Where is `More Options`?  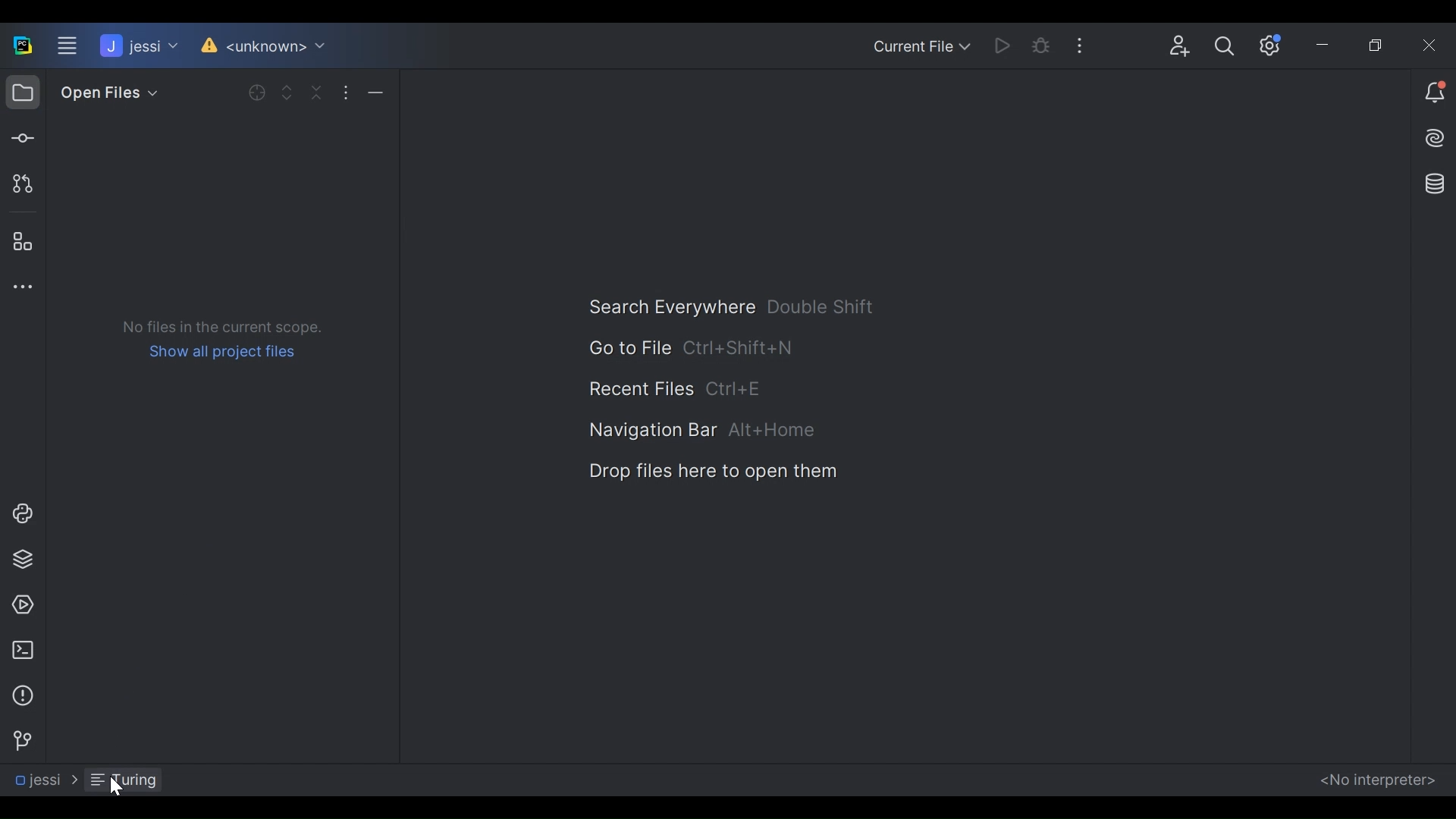 More Options is located at coordinates (1084, 42).